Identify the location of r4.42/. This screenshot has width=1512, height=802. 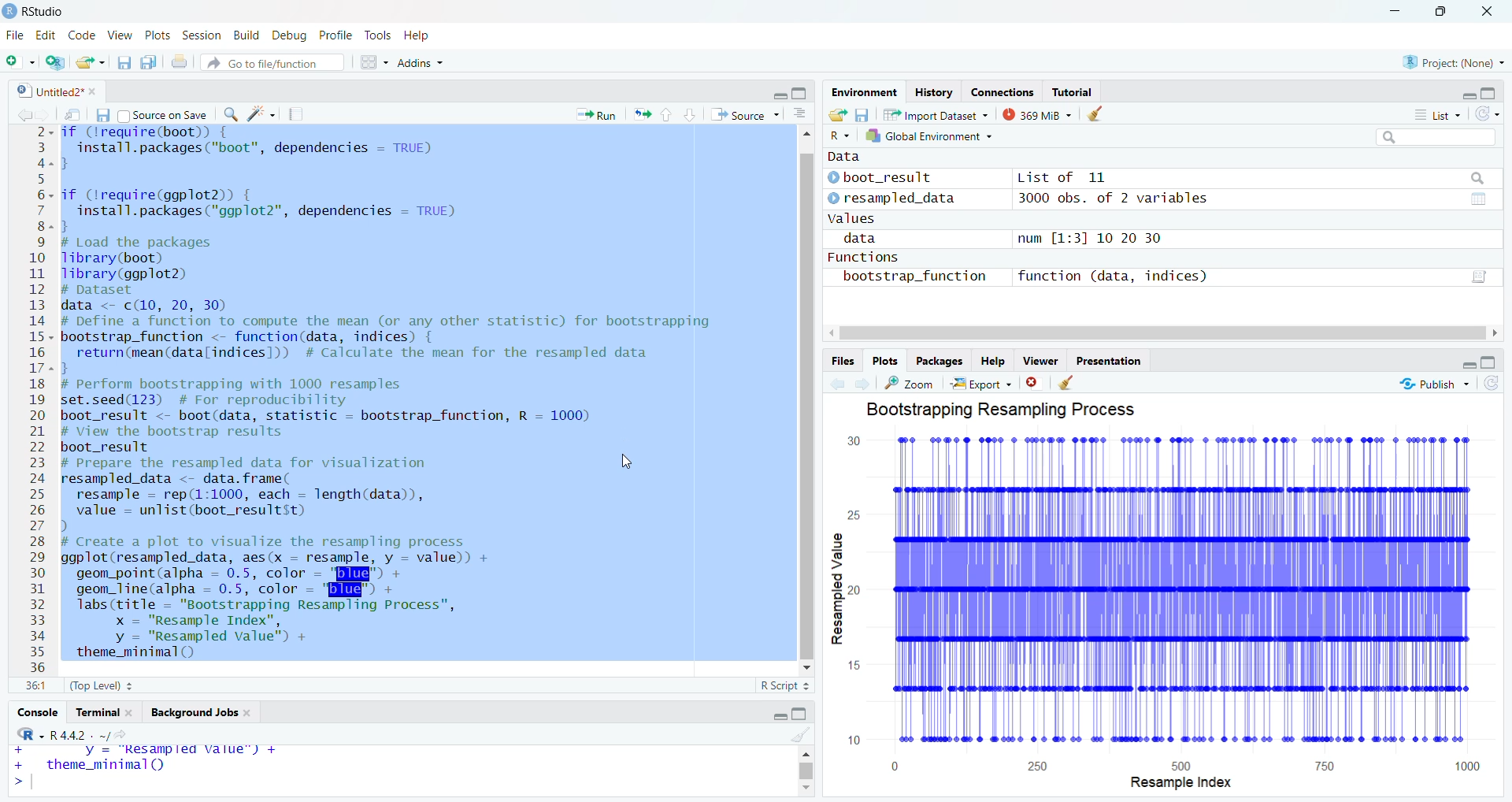
(72, 733).